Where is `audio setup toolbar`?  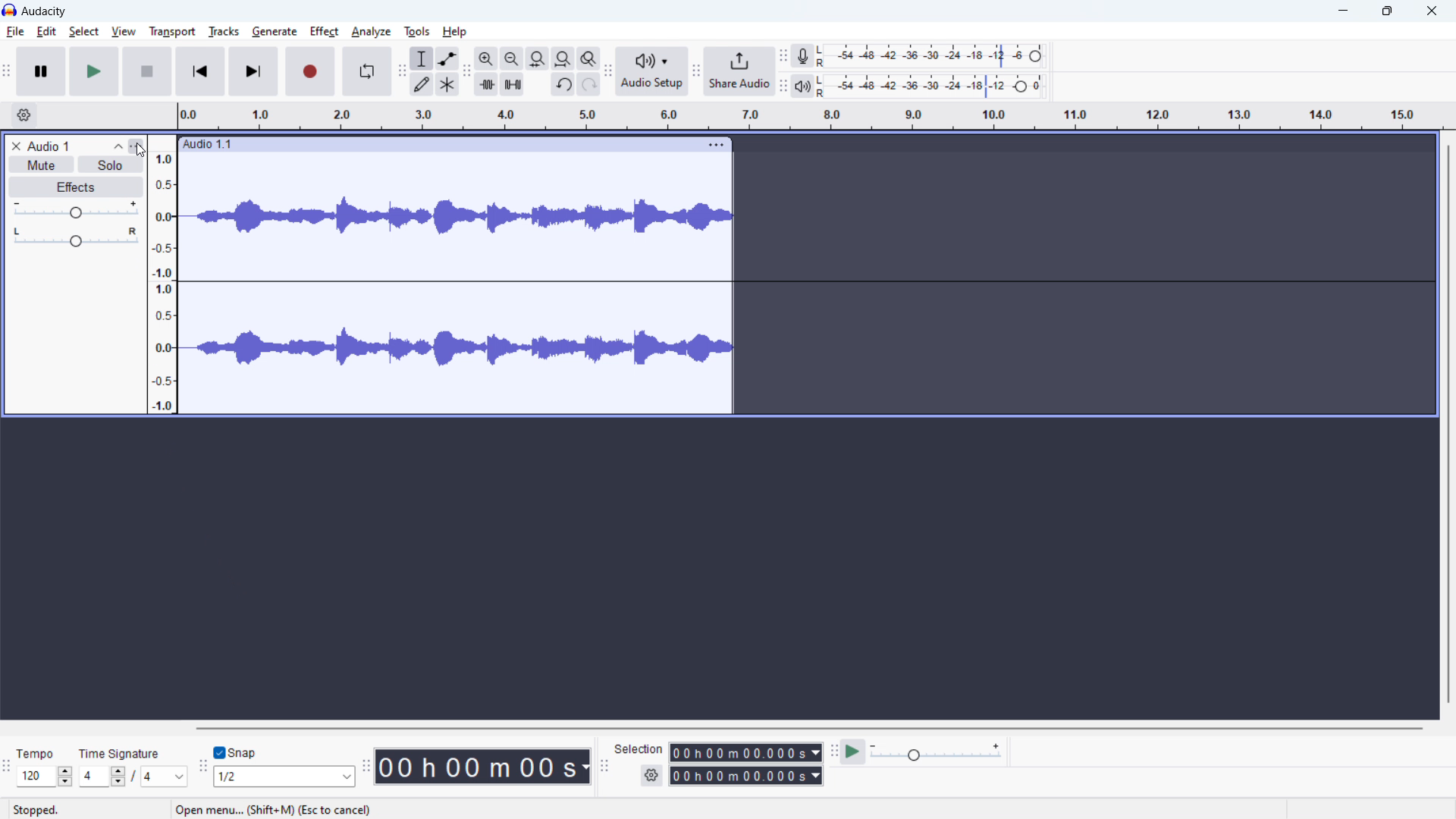
audio setup toolbar is located at coordinates (608, 72).